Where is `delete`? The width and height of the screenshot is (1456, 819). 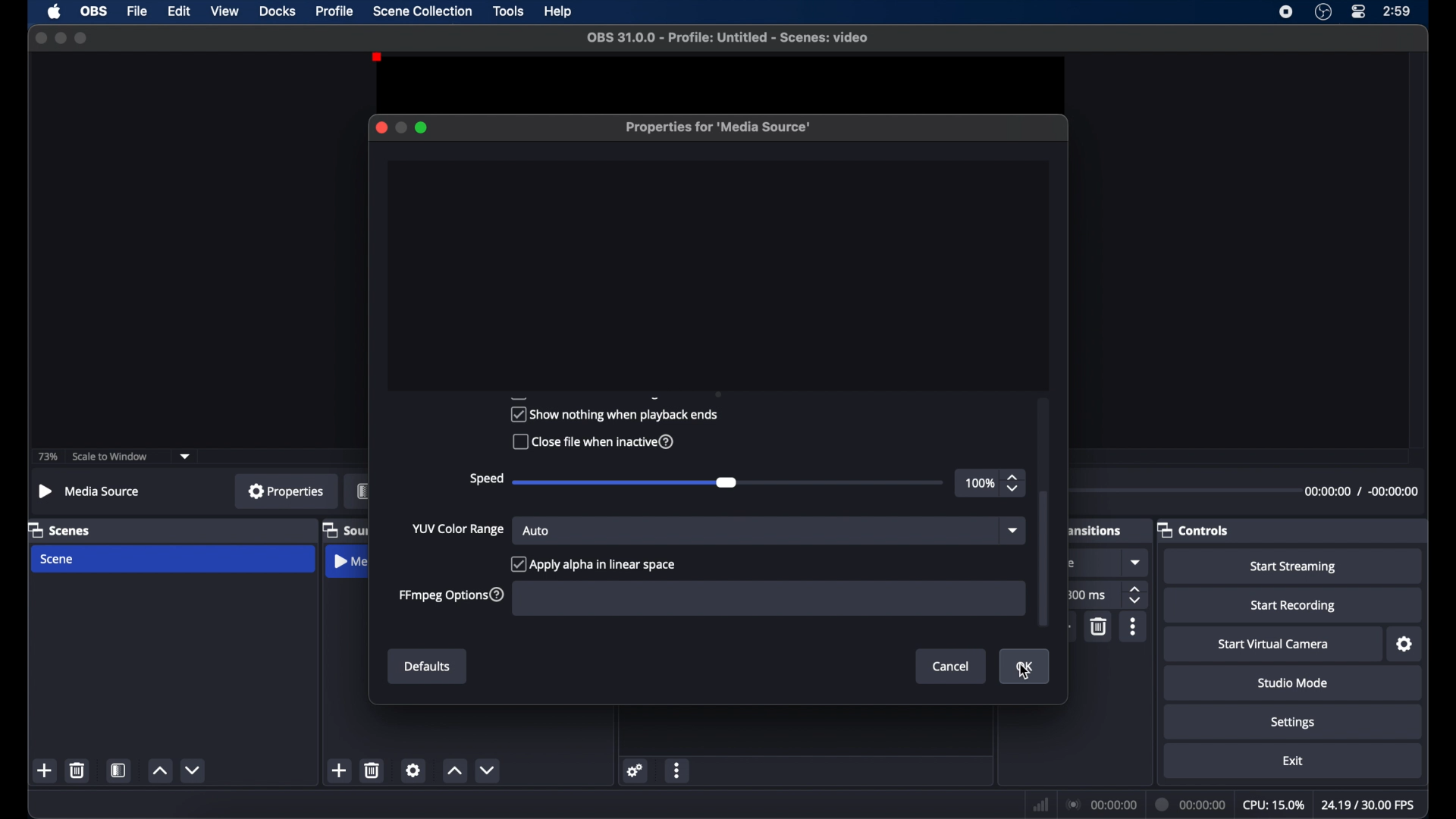 delete is located at coordinates (77, 770).